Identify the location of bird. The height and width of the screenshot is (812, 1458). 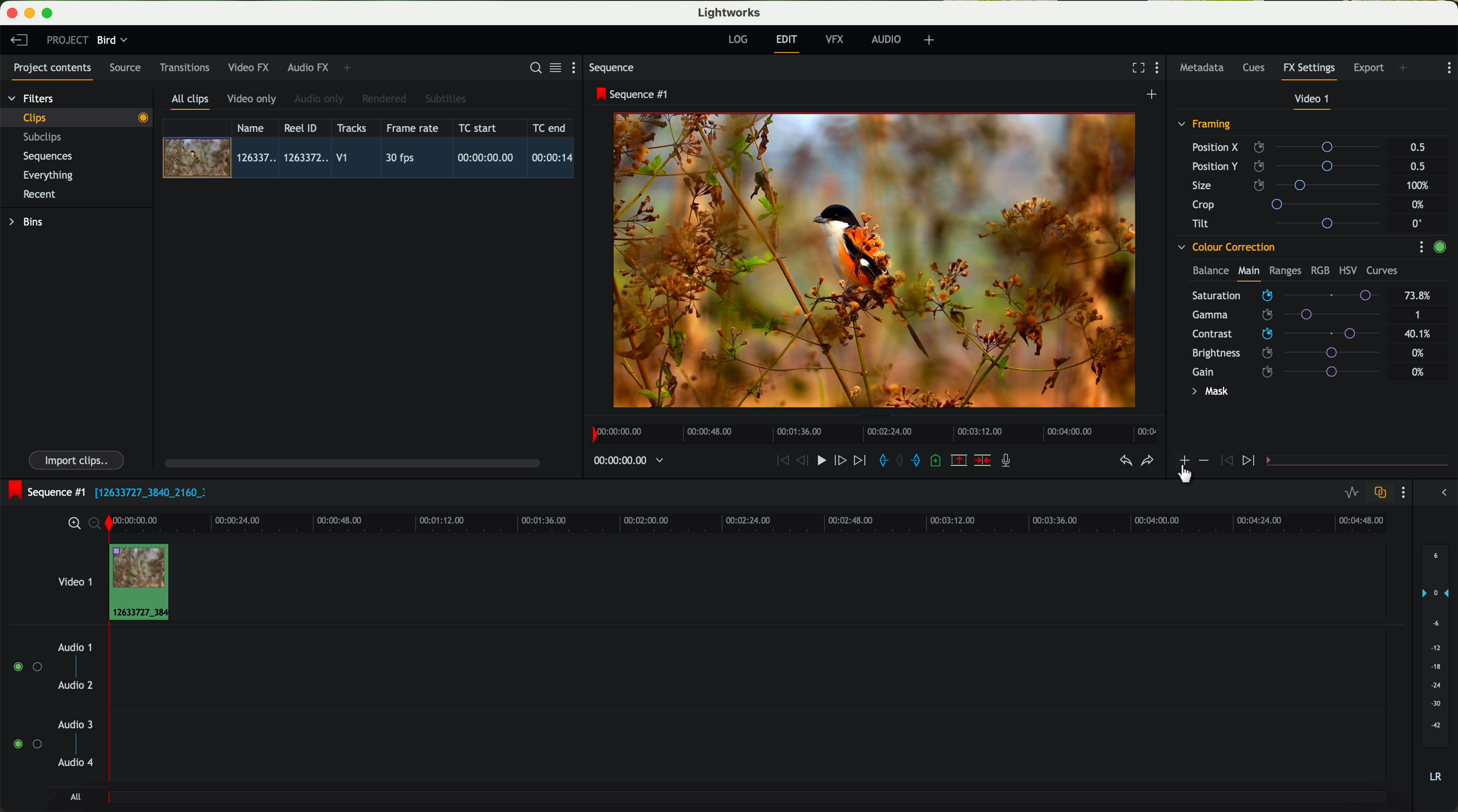
(112, 41).